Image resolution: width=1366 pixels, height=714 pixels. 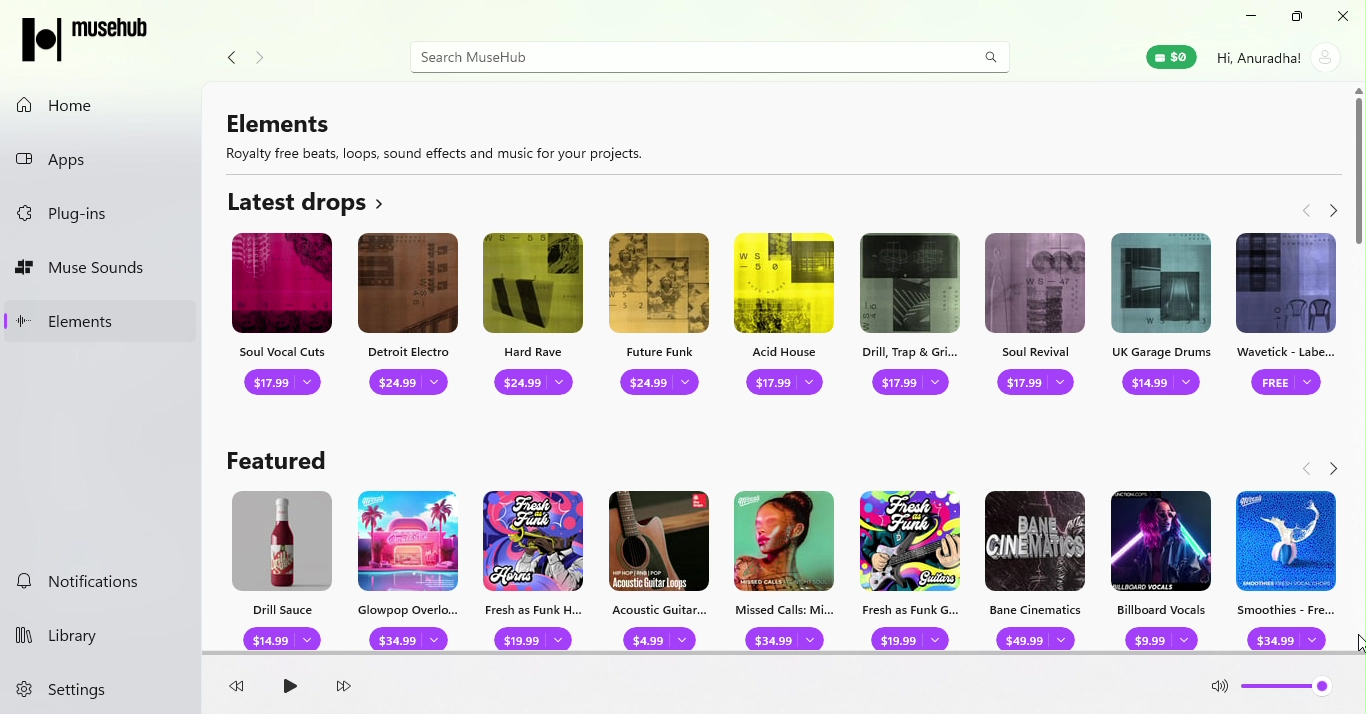 I want to click on Apps, so click(x=103, y=156).